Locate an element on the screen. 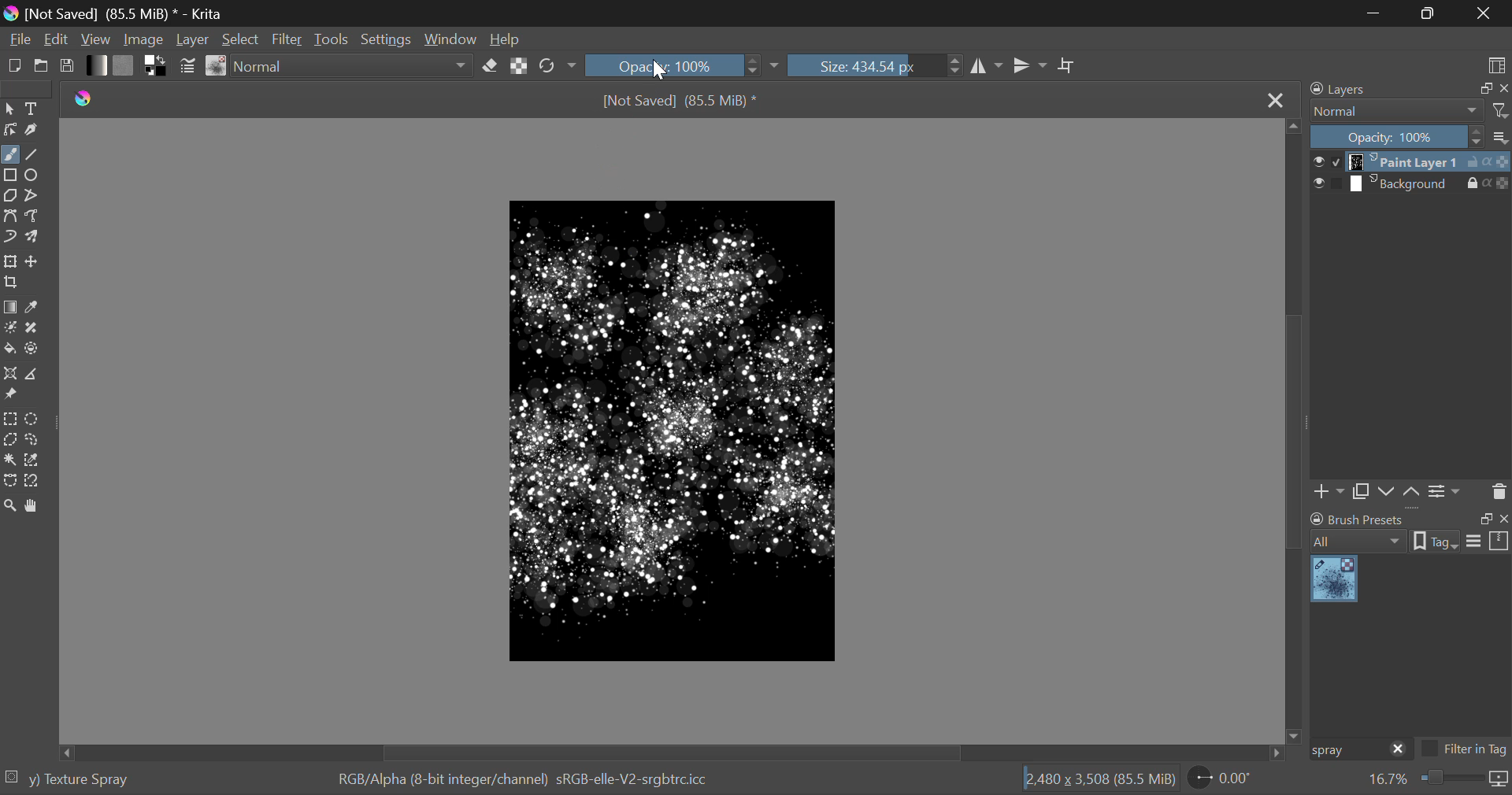 This screenshot has height=795, width=1512. Multibrush is located at coordinates (32, 235).